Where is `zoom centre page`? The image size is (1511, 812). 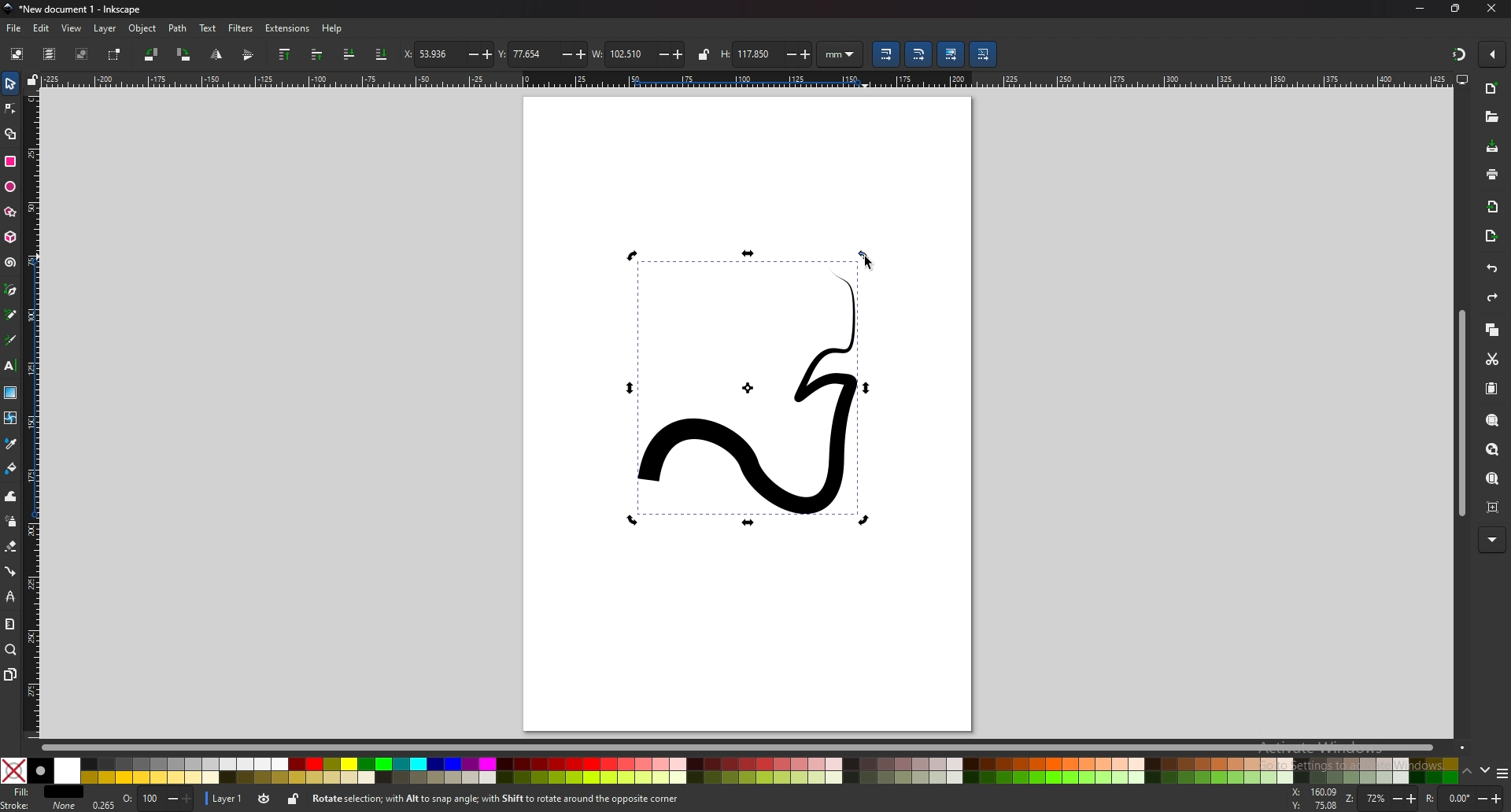
zoom centre page is located at coordinates (1493, 507).